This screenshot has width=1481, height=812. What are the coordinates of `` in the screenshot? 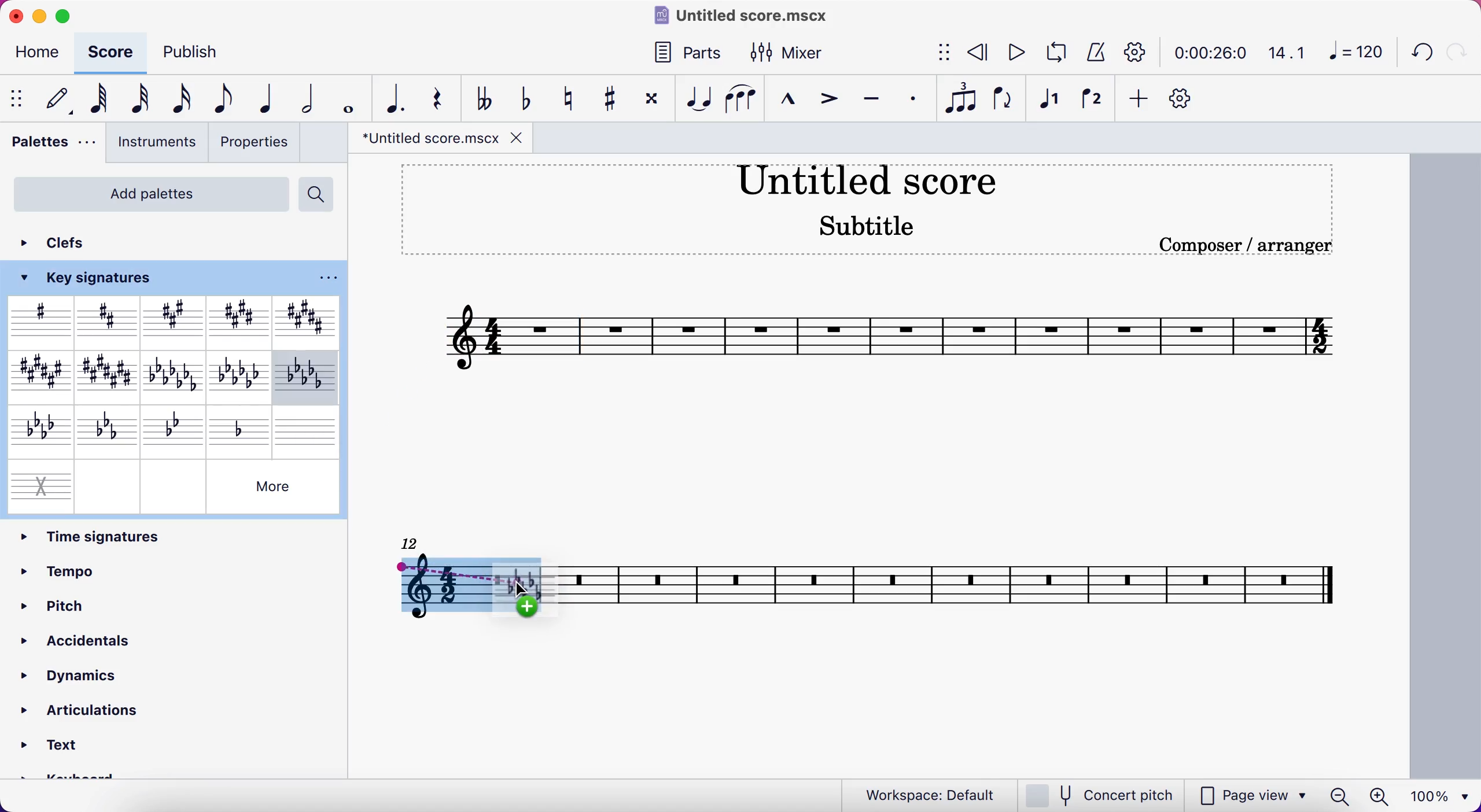 It's located at (274, 486).